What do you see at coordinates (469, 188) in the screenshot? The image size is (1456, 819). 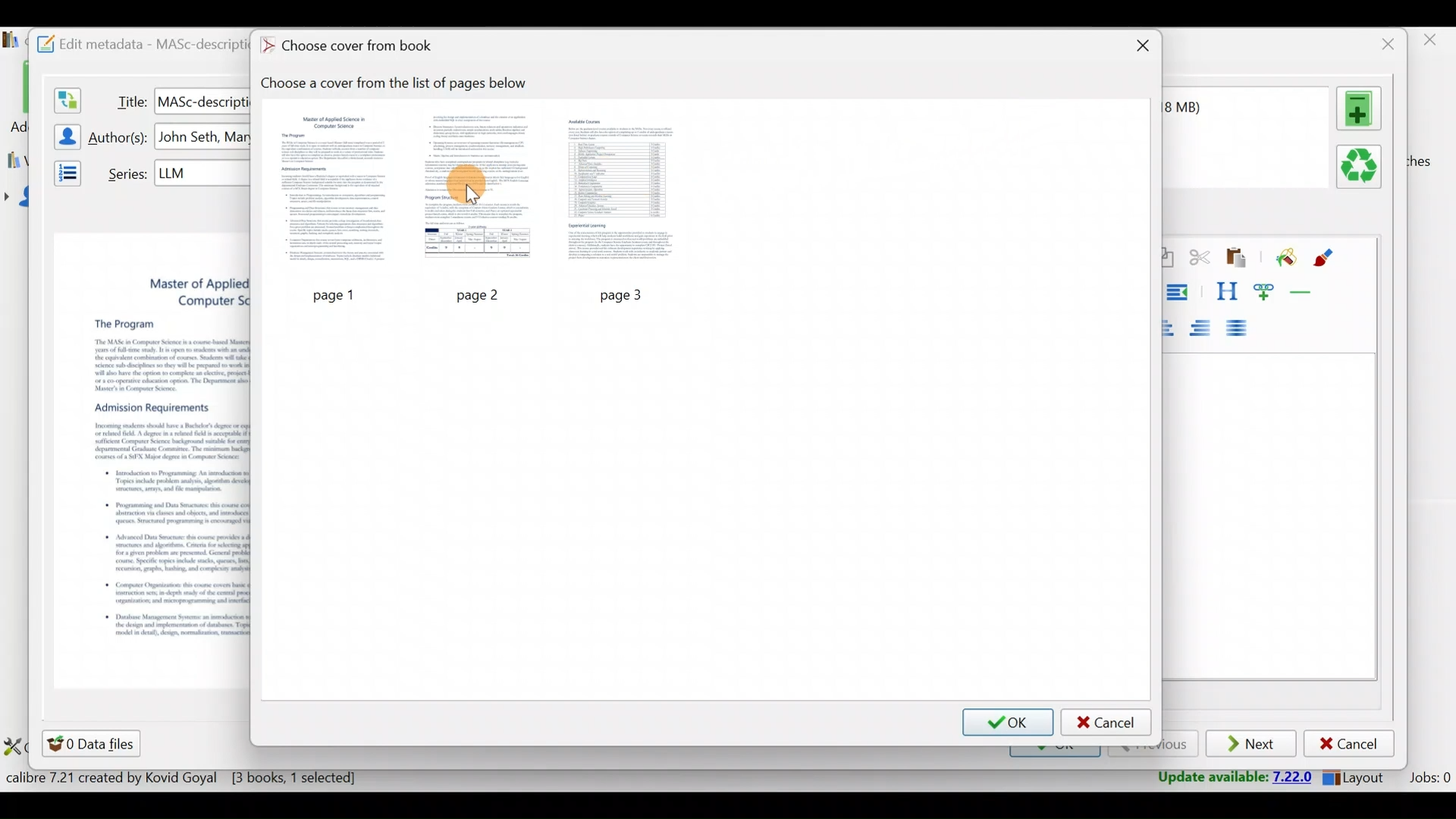 I see `cursor` at bounding box center [469, 188].